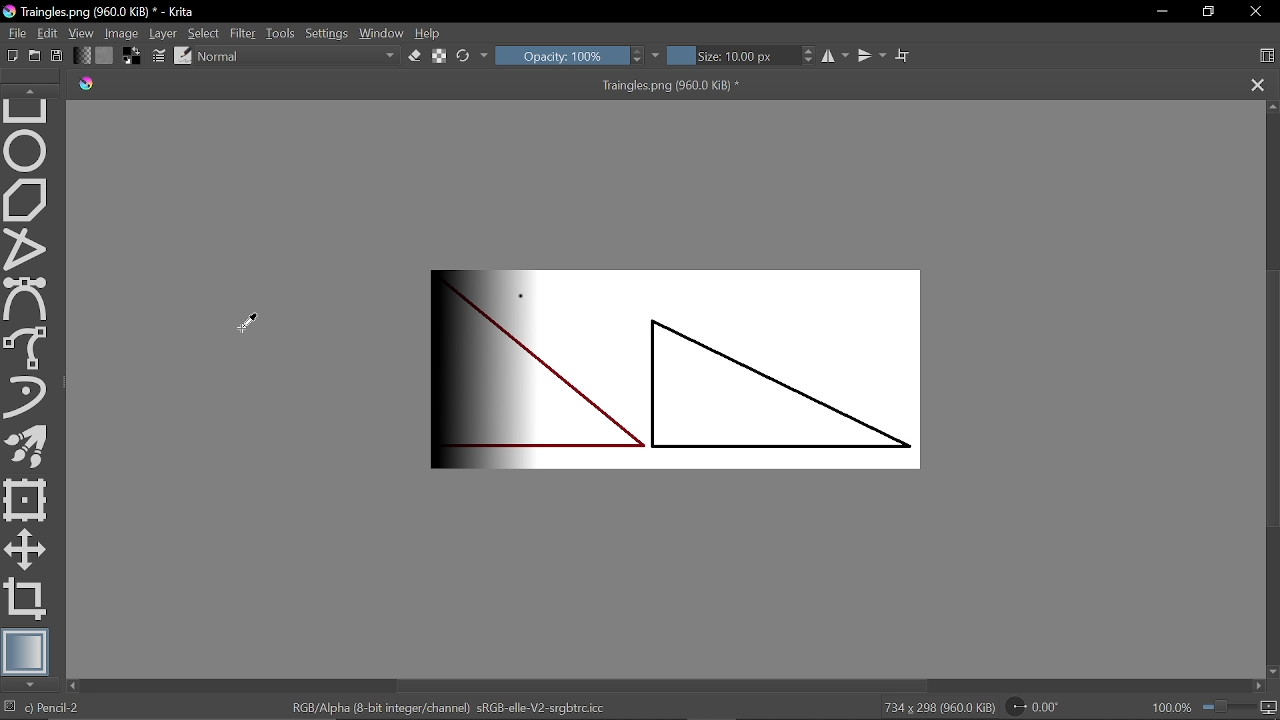 The image size is (1280, 720). I want to click on RGB/Alpha (8-bit integer/channel) sRGE-elle-V2-srgbtrc.icc, so click(452, 707).